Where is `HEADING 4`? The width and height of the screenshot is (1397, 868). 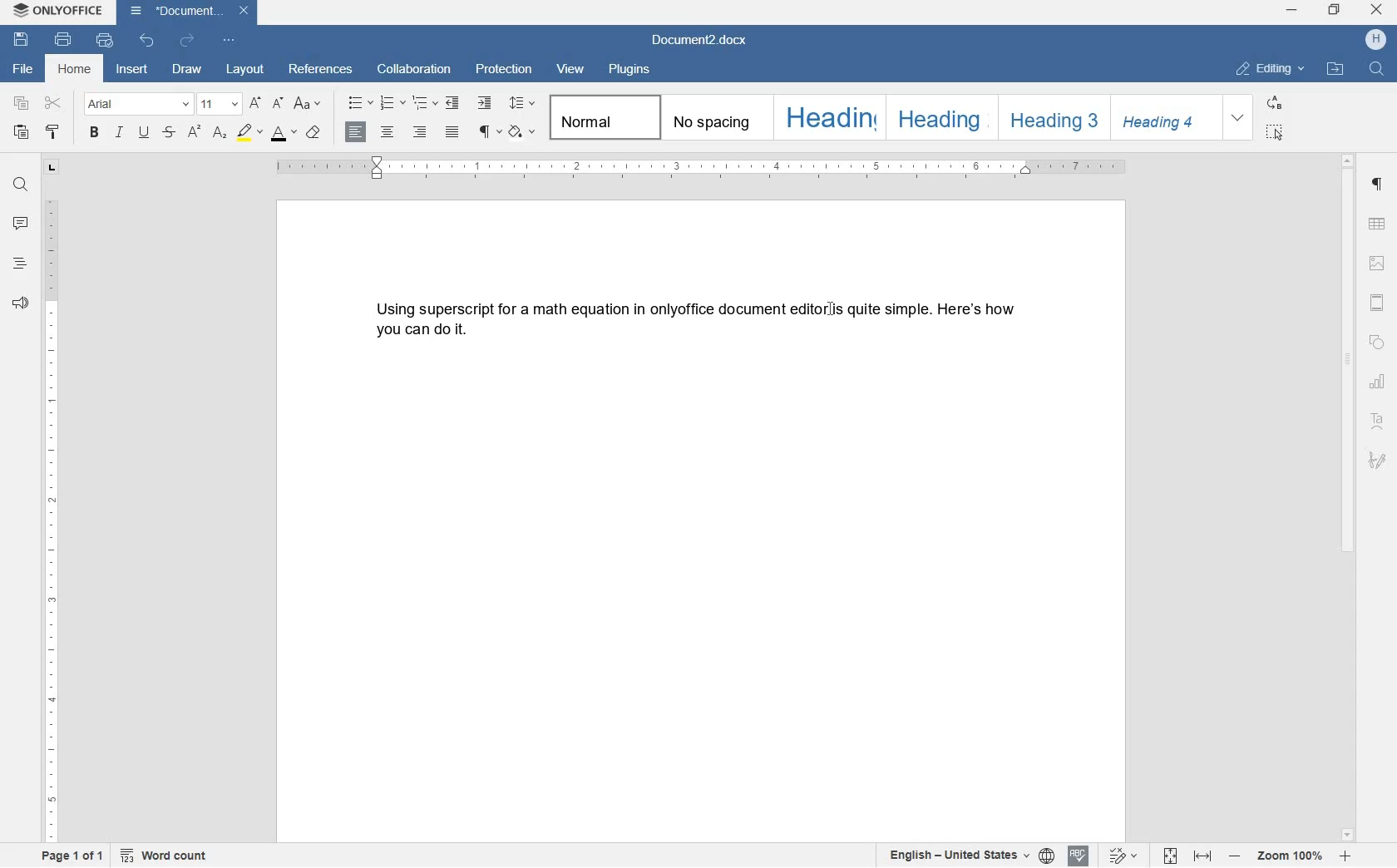 HEADING 4 is located at coordinates (1164, 118).